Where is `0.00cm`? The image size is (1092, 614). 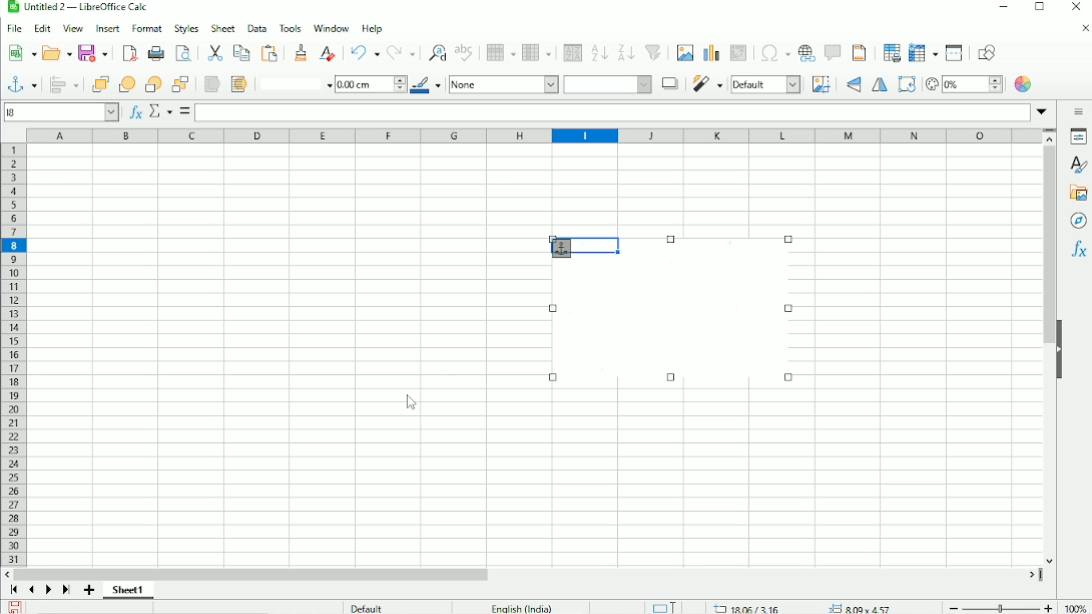 0.00cm is located at coordinates (370, 85).